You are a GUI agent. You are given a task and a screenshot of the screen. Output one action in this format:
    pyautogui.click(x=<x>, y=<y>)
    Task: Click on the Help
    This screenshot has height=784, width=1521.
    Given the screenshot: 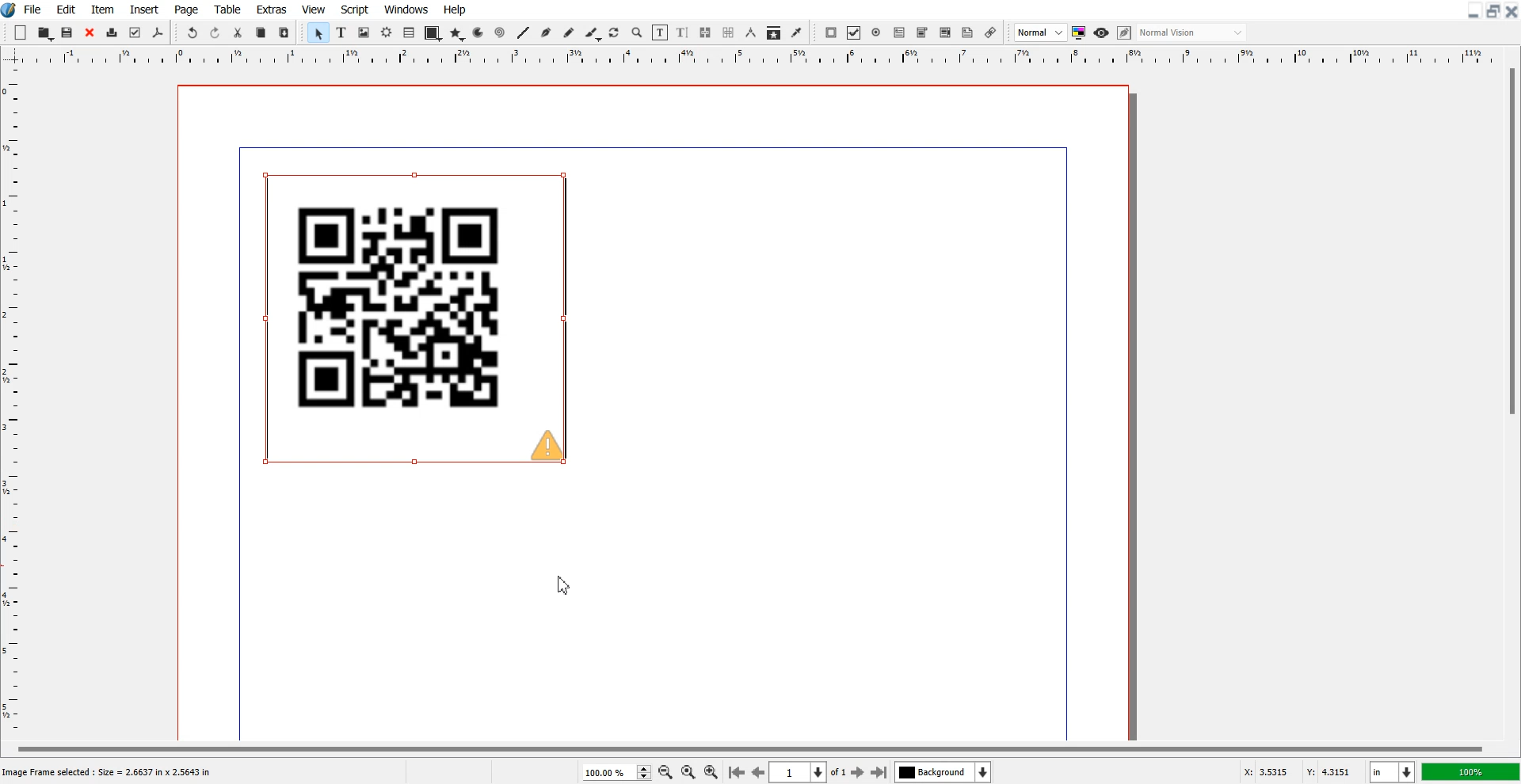 What is the action you would take?
    pyautogui.click(x=456, y=10)
    